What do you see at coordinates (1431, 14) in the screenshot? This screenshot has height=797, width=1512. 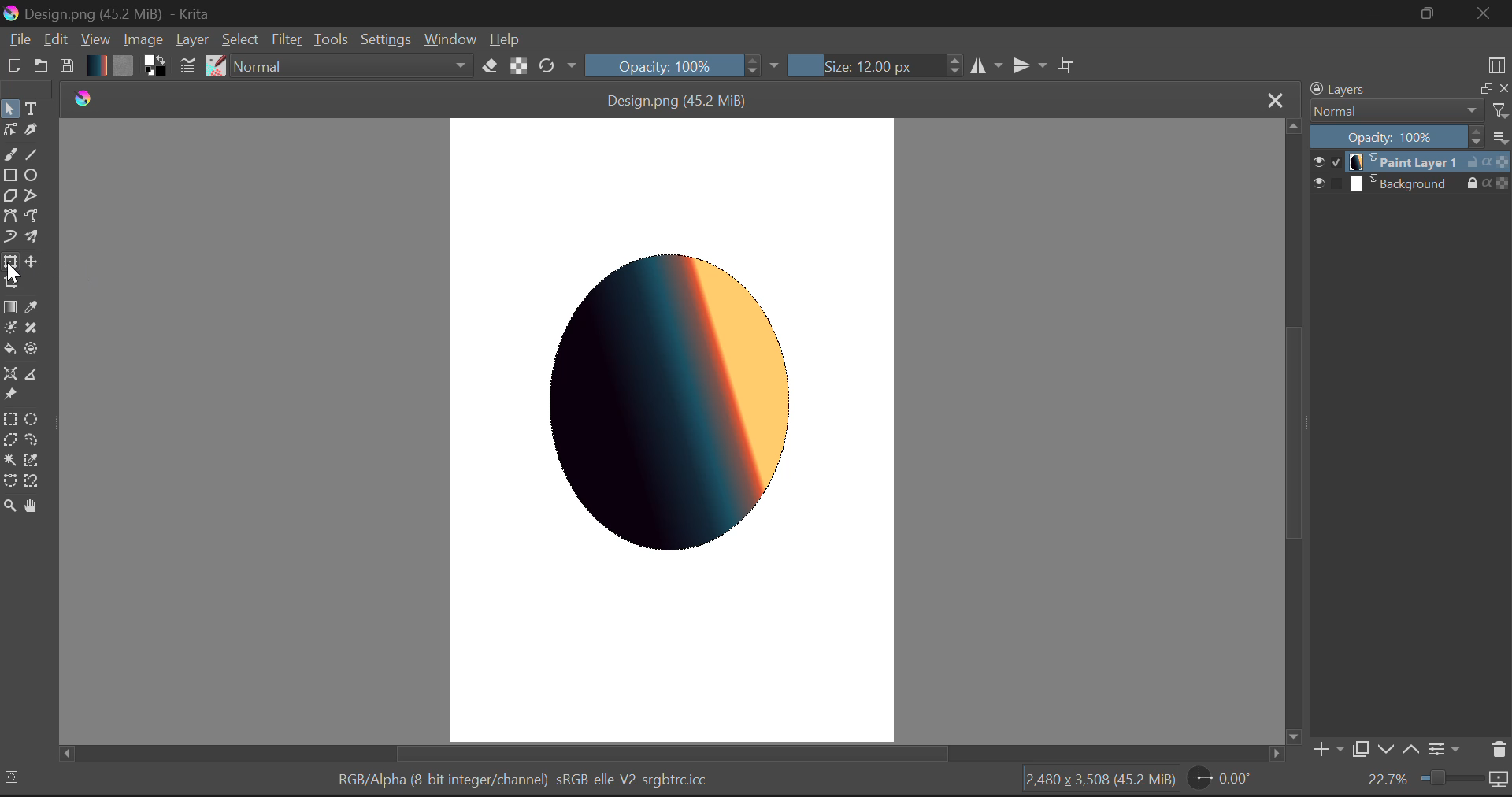 I see `Minimize` at bounding box center [1431, 14].